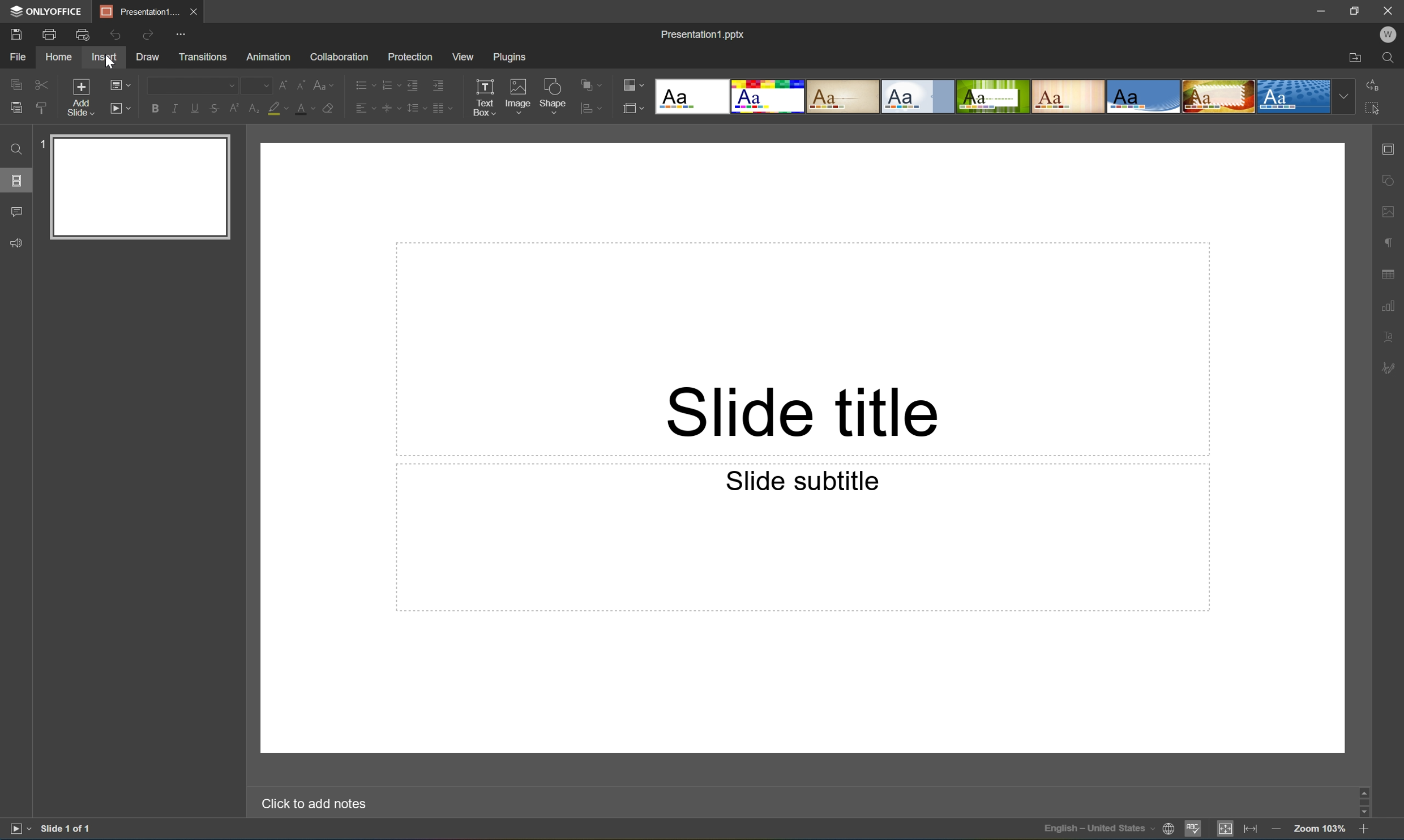 Image resolution: width=1404 pixels, height=840 pixels. Describe the element at coordinates (486, 97) in the screenshot. I see `Text Box` at that location.